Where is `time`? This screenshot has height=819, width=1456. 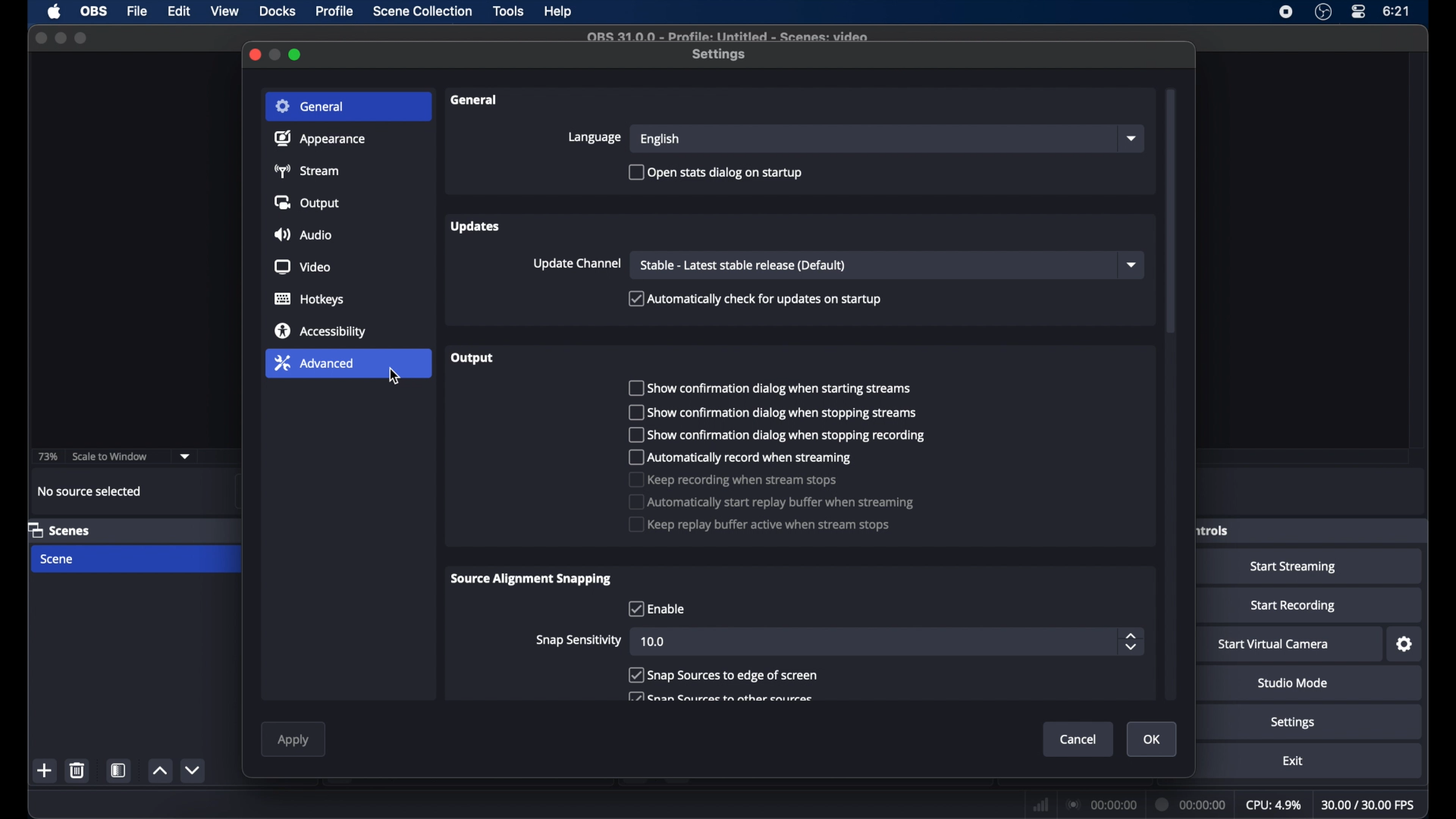 time is located at coordinates (1397, 11).